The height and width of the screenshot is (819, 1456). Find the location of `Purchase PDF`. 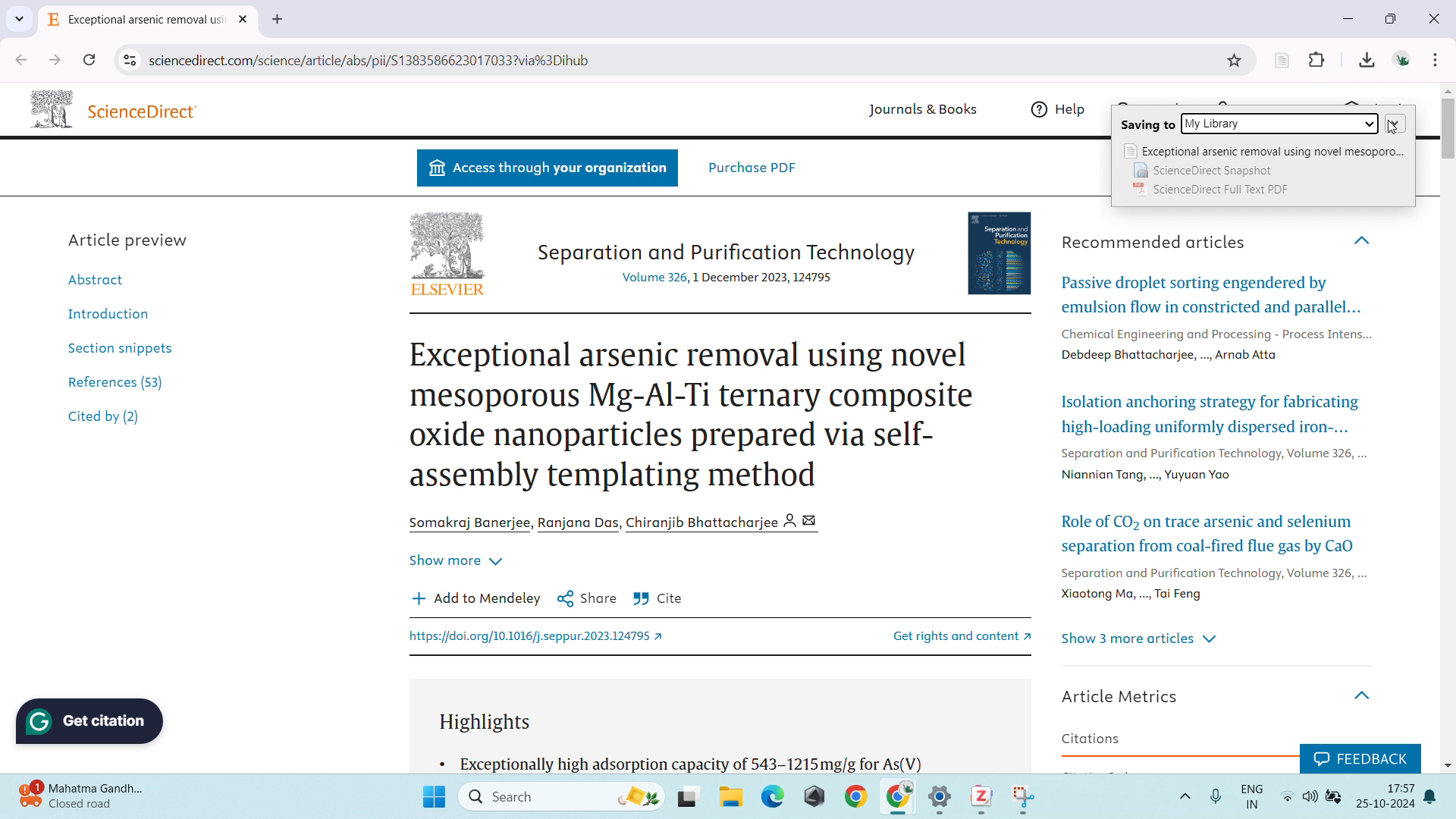

Purchase PDF is located at coordinates (752, 167).